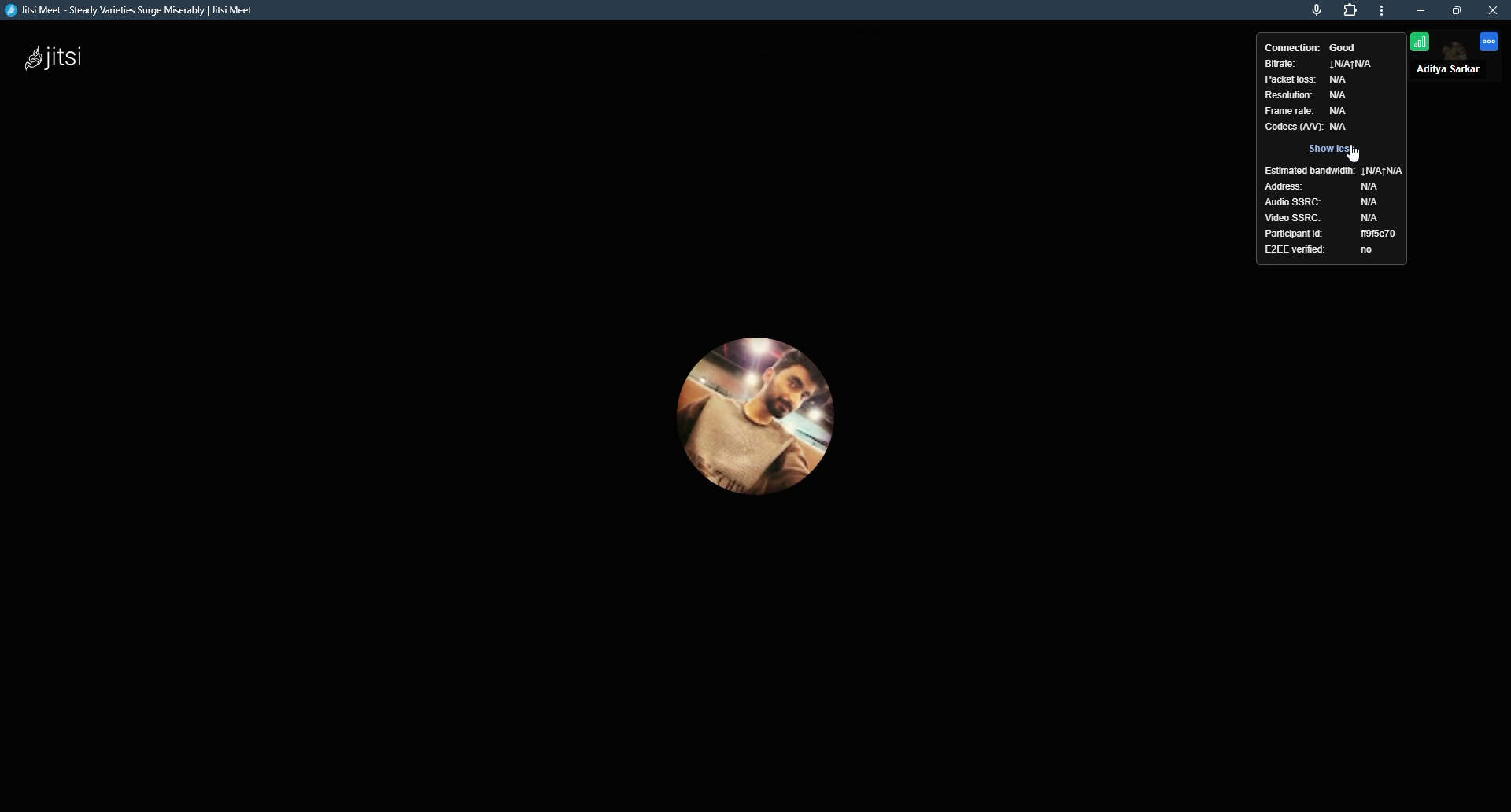 Image resolution: width=1511 pixels, height=812 pixels. Describe the element at coordinates (1422, 10) in the screenshot. I see `minimize` at that location.